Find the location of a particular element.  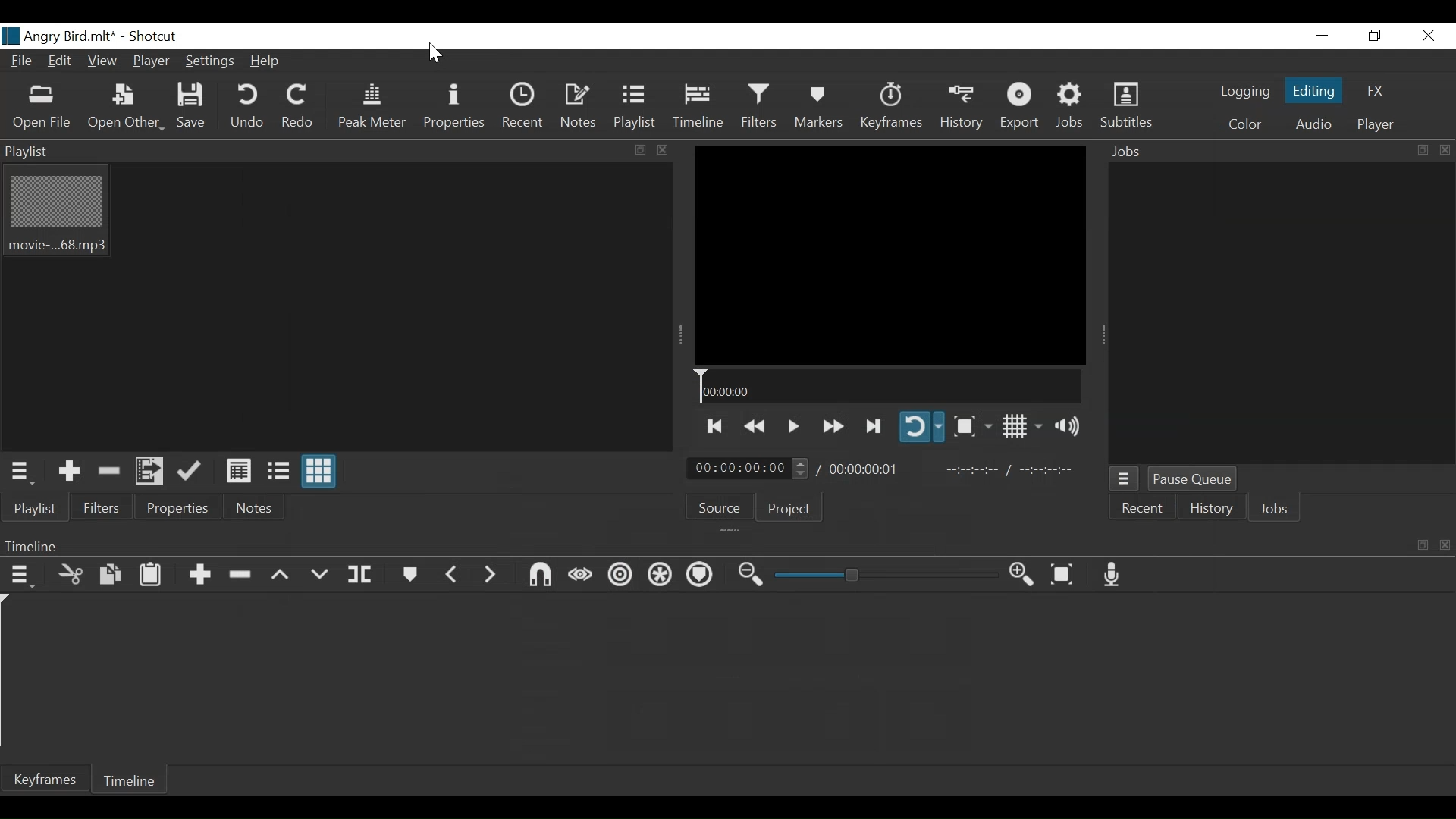

Paste is located at coordinates (152, 574).